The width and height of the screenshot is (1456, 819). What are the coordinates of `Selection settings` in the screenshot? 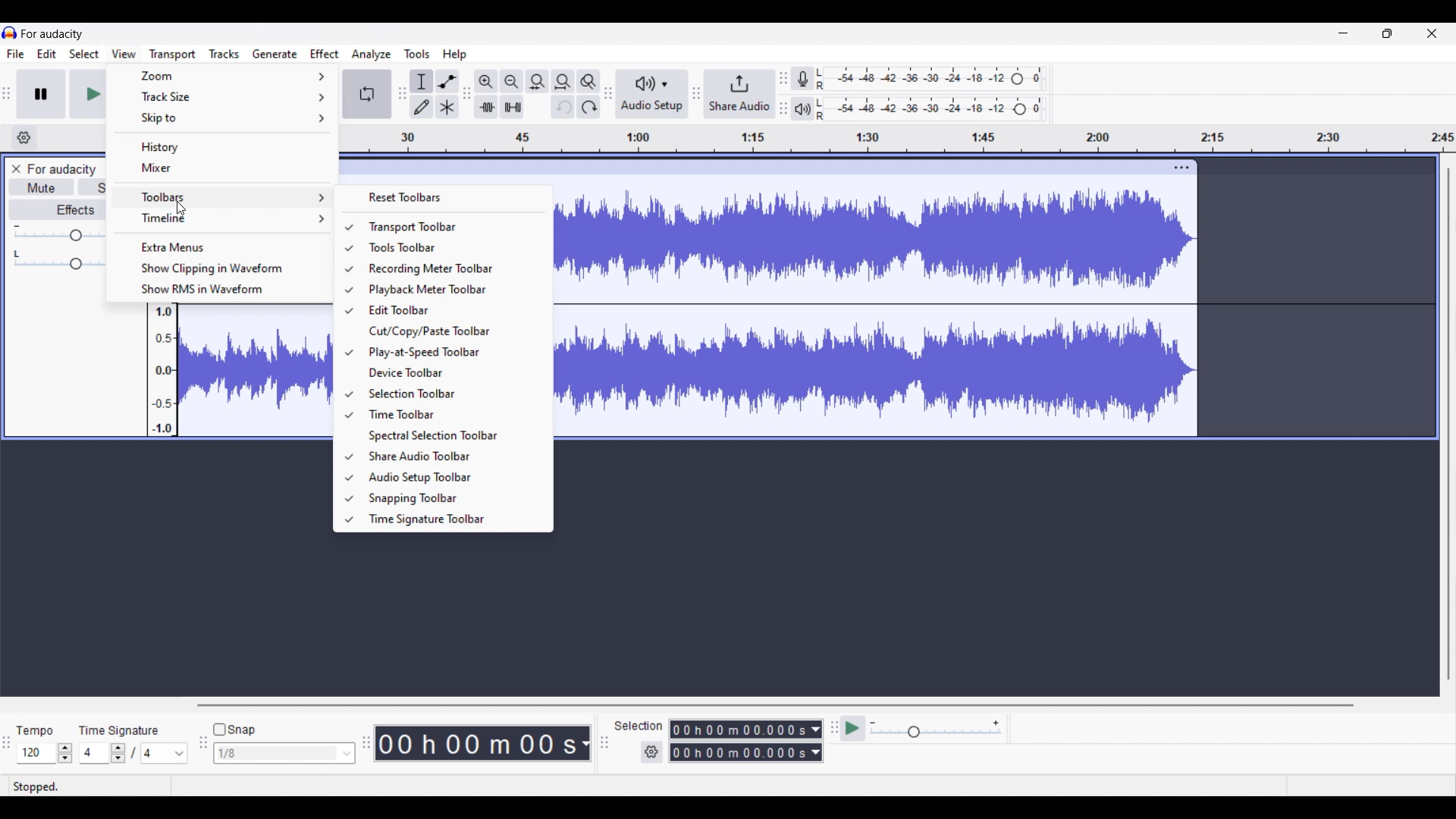 It's located at (651, 752).